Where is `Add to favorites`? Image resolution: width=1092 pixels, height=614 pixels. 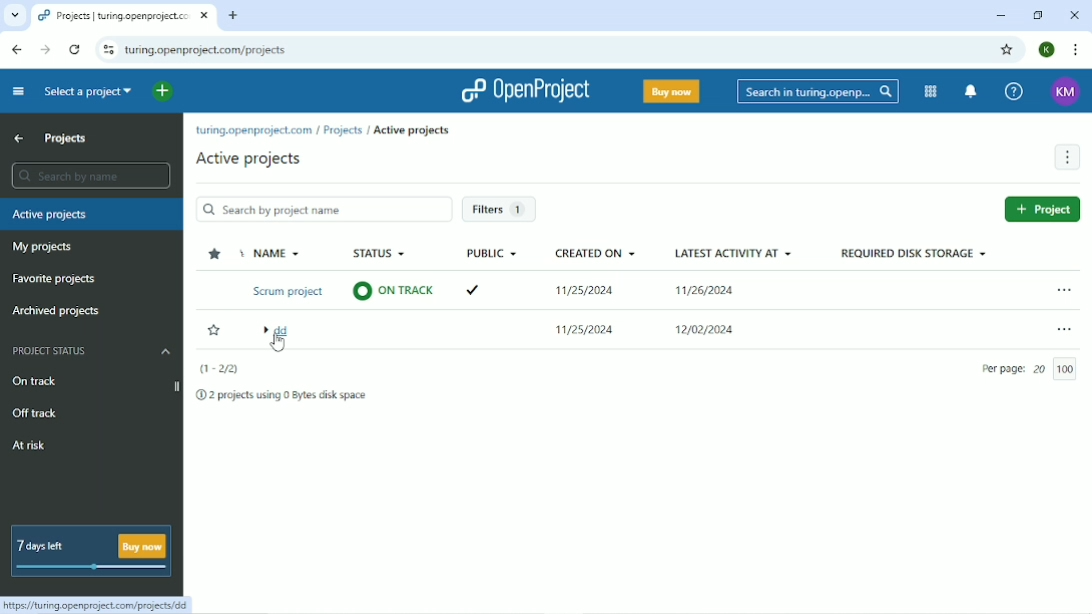
Add to favorites is located at coordinates (213, 329).